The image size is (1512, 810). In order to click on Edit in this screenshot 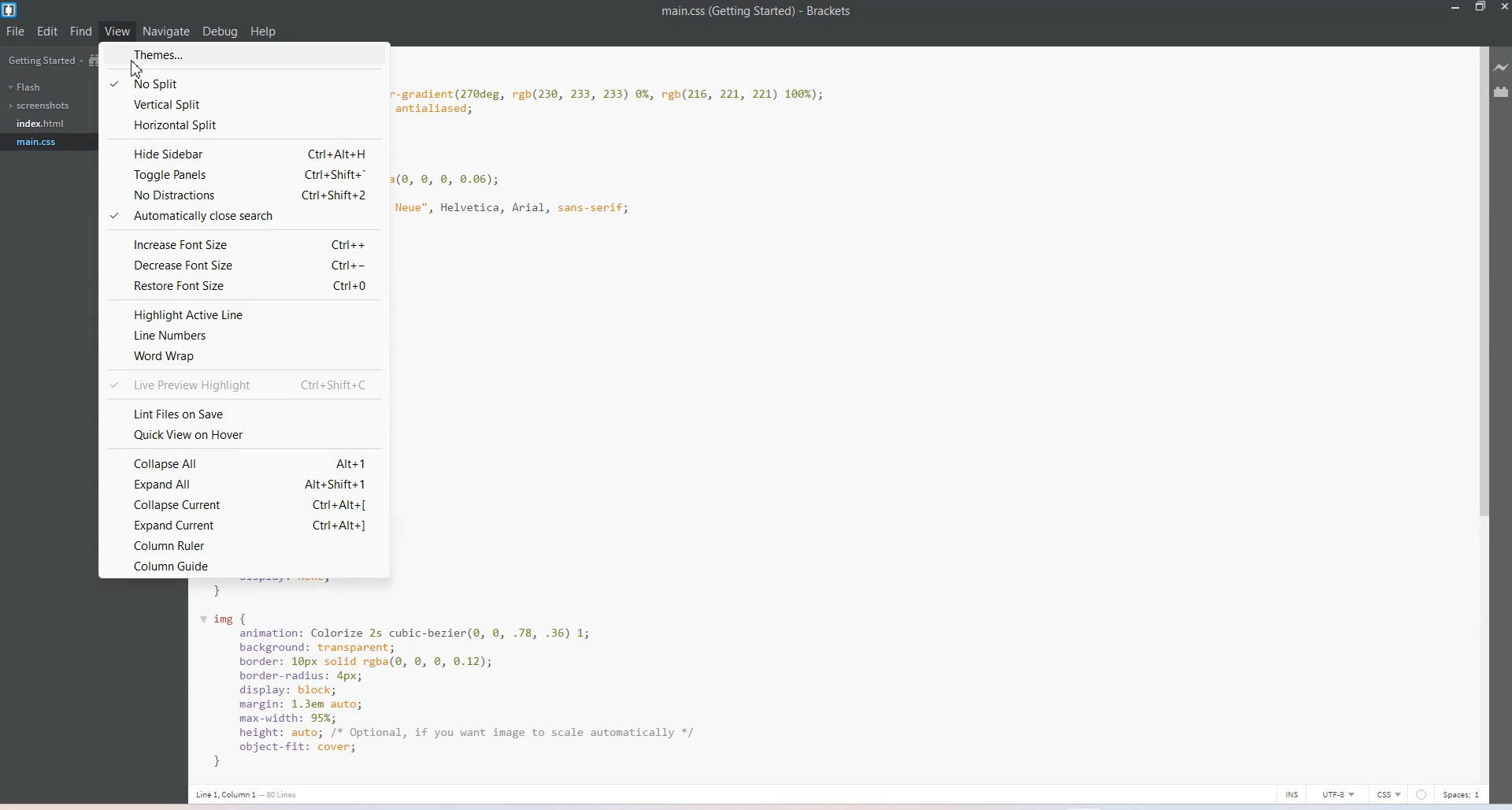, I will do `click(49, 31)`.